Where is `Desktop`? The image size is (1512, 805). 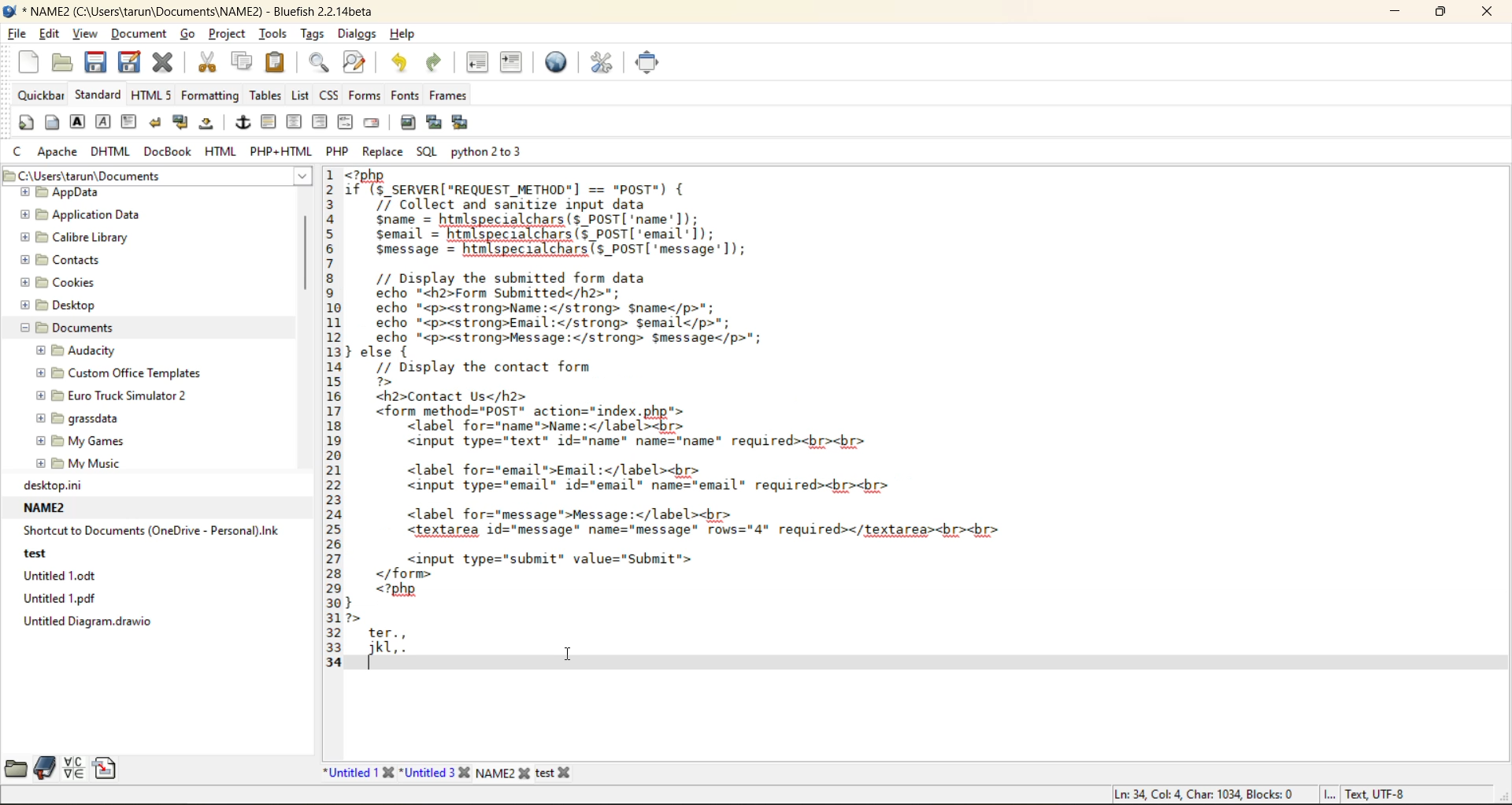 Desktop is located at coordinates (57, 307).